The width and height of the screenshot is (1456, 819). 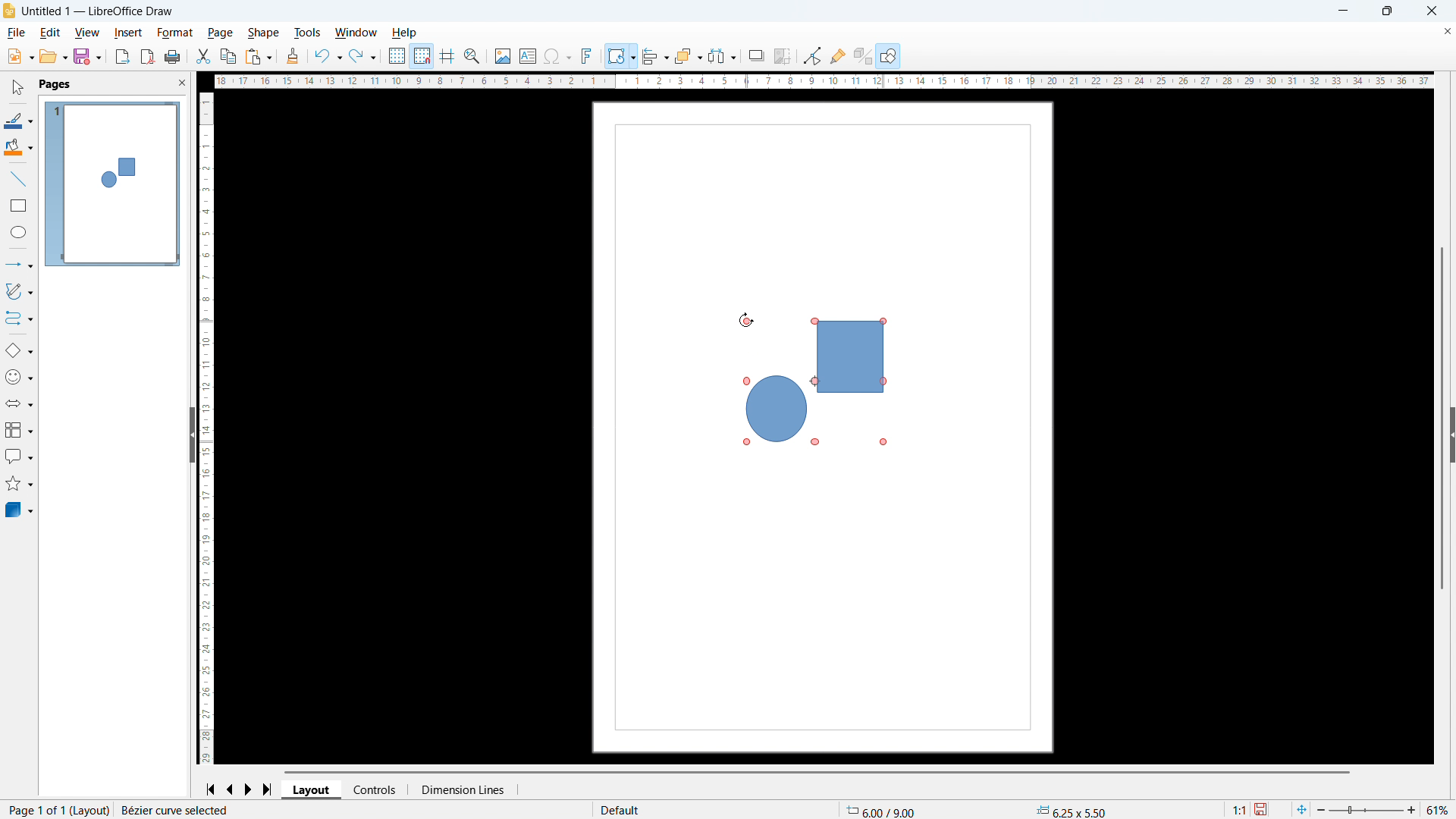 What do you see at coordinates (1241, 810) in the screenshot?
I see `Scaling factor ` at bounding box center [1241, 810].